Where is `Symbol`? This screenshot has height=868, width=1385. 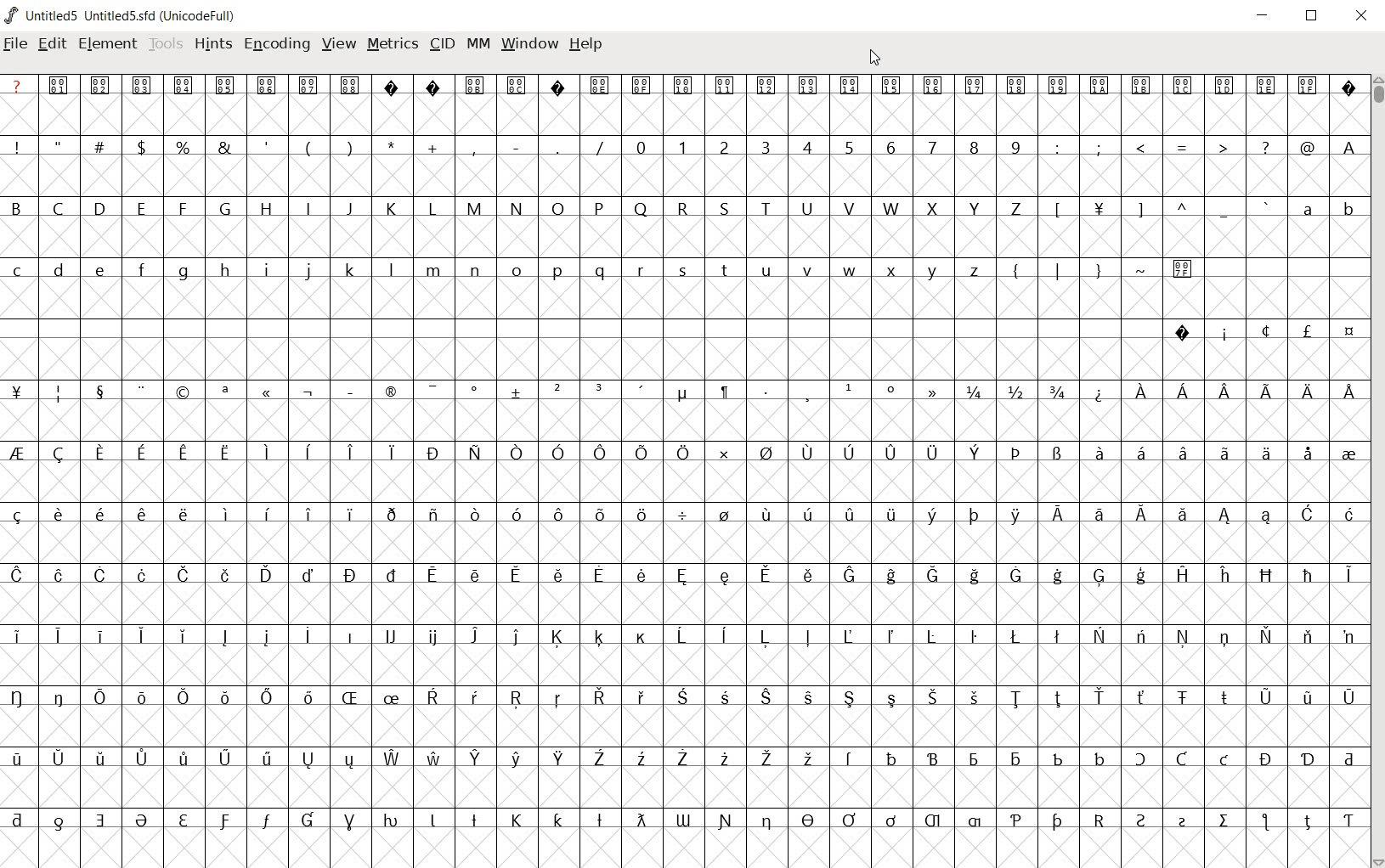
Symbol is located at coordinates (475, 392).